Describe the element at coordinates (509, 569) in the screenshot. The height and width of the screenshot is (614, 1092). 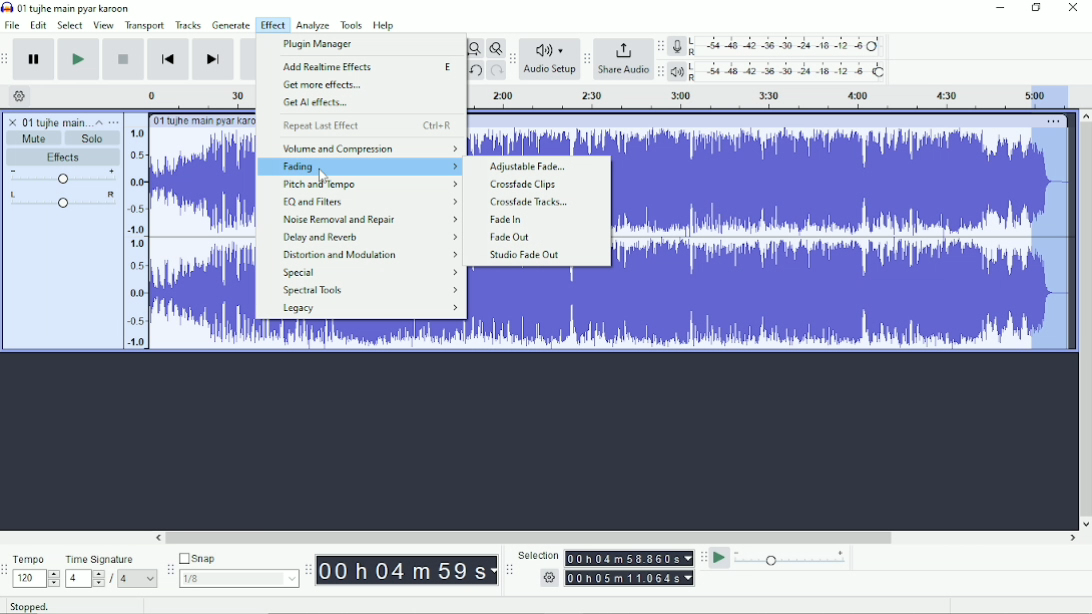
I see `Audacity selection toolbar` at that location.